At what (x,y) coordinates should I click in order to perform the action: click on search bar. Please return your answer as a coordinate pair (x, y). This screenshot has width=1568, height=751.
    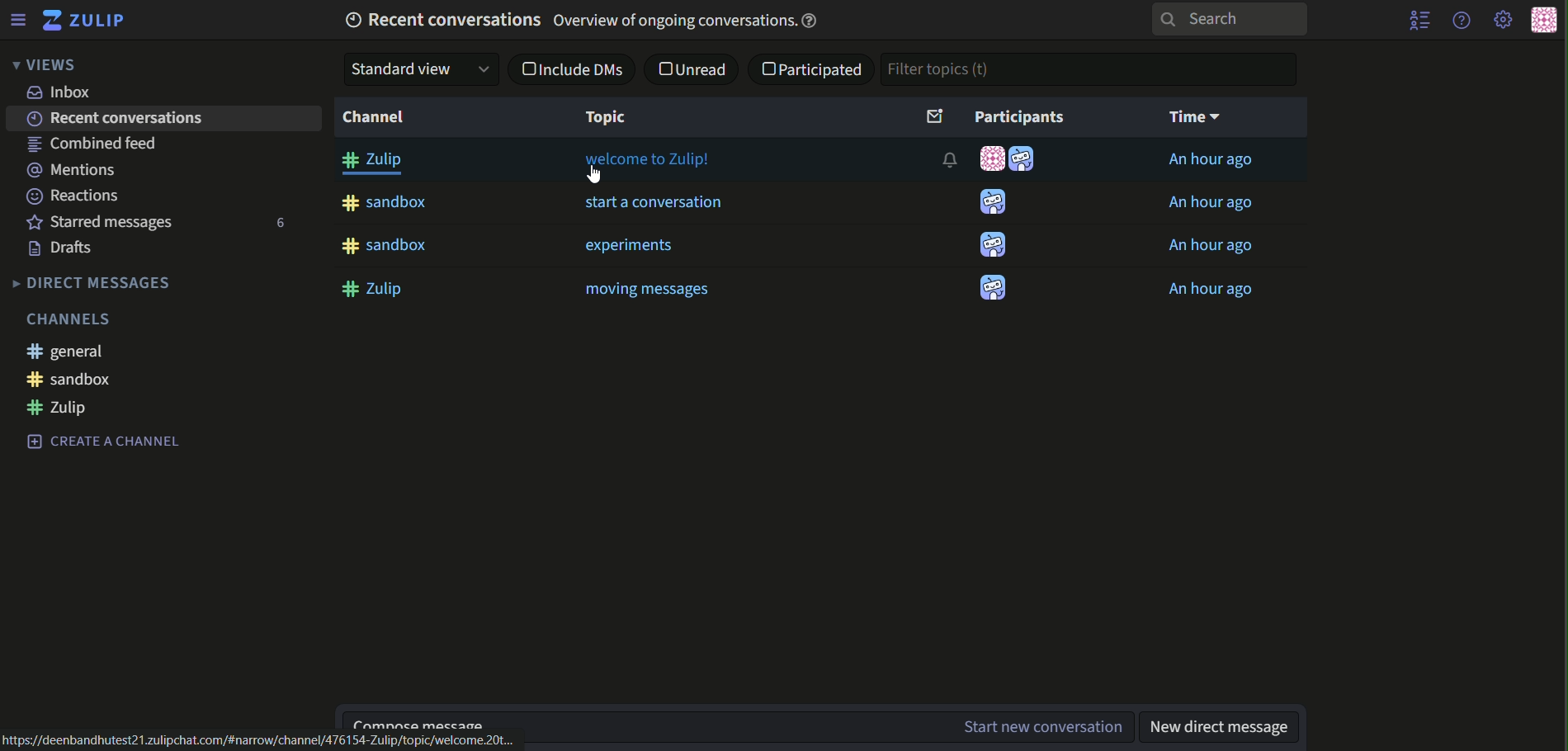
    Looking at the image, I should click on (1226, 19).